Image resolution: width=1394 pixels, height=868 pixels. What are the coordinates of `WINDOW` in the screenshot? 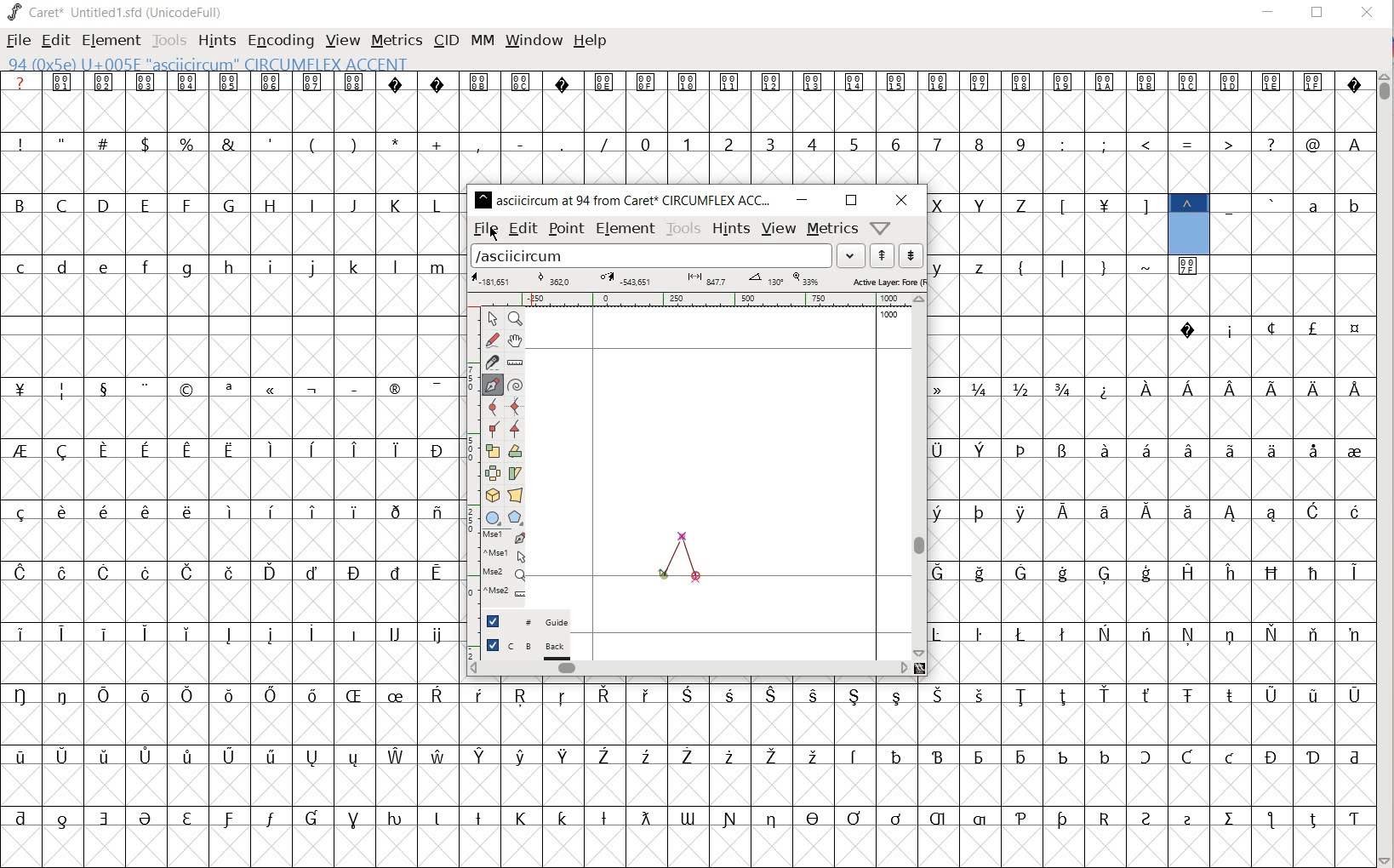 It's located at (532, 39).